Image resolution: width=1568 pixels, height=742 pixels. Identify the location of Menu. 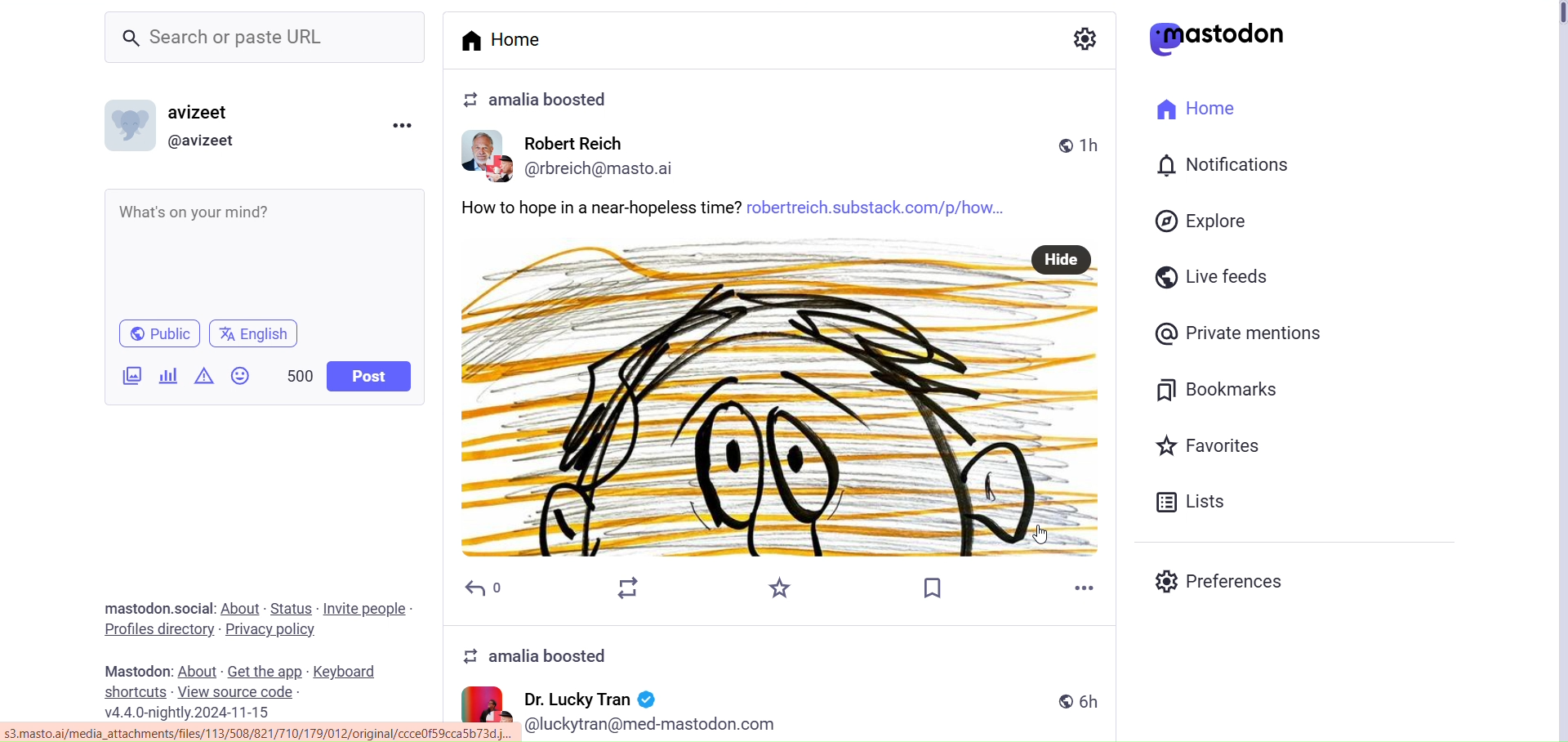
(406, 124).